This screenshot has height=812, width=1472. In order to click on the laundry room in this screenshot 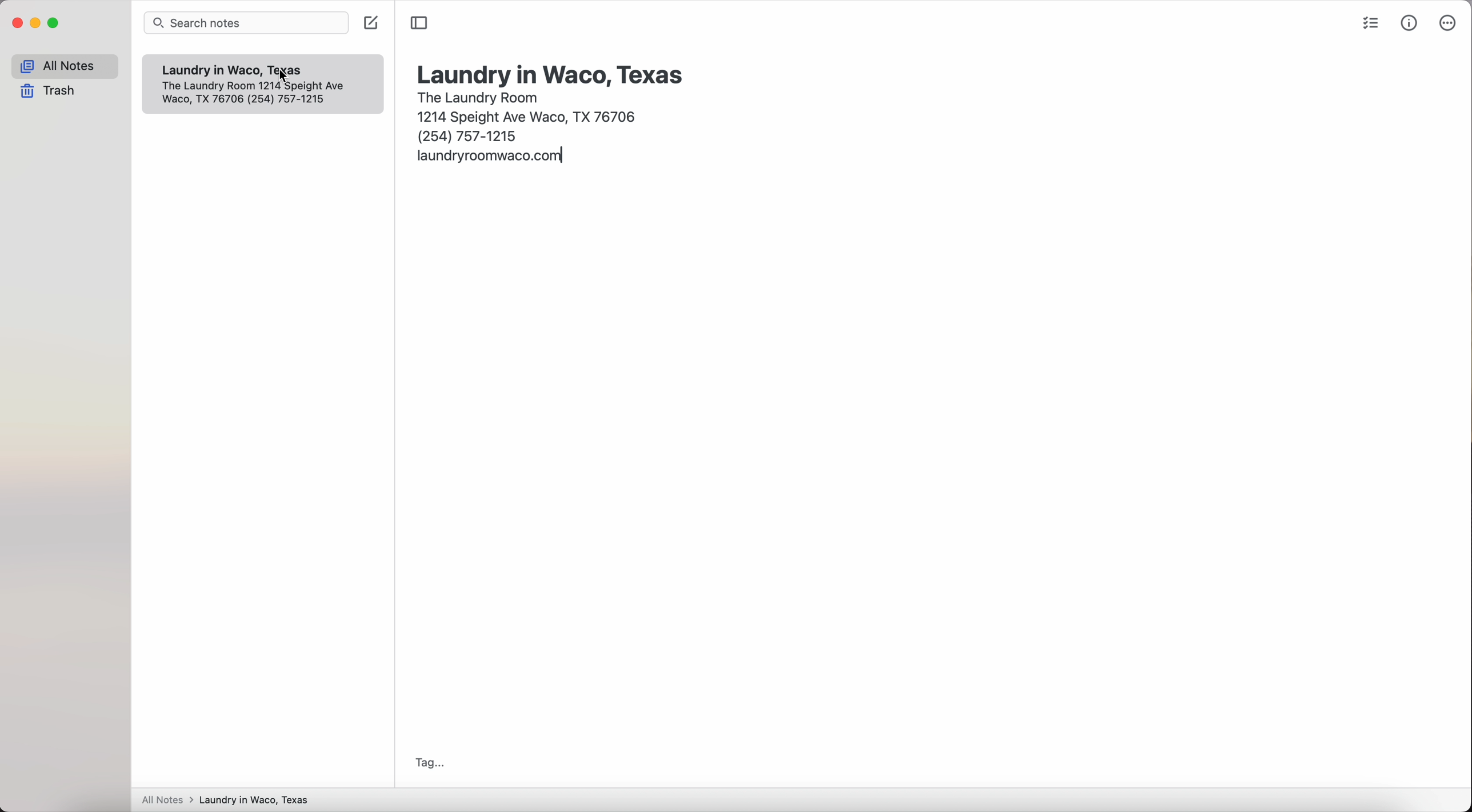, I will do `click(479, 96)`.